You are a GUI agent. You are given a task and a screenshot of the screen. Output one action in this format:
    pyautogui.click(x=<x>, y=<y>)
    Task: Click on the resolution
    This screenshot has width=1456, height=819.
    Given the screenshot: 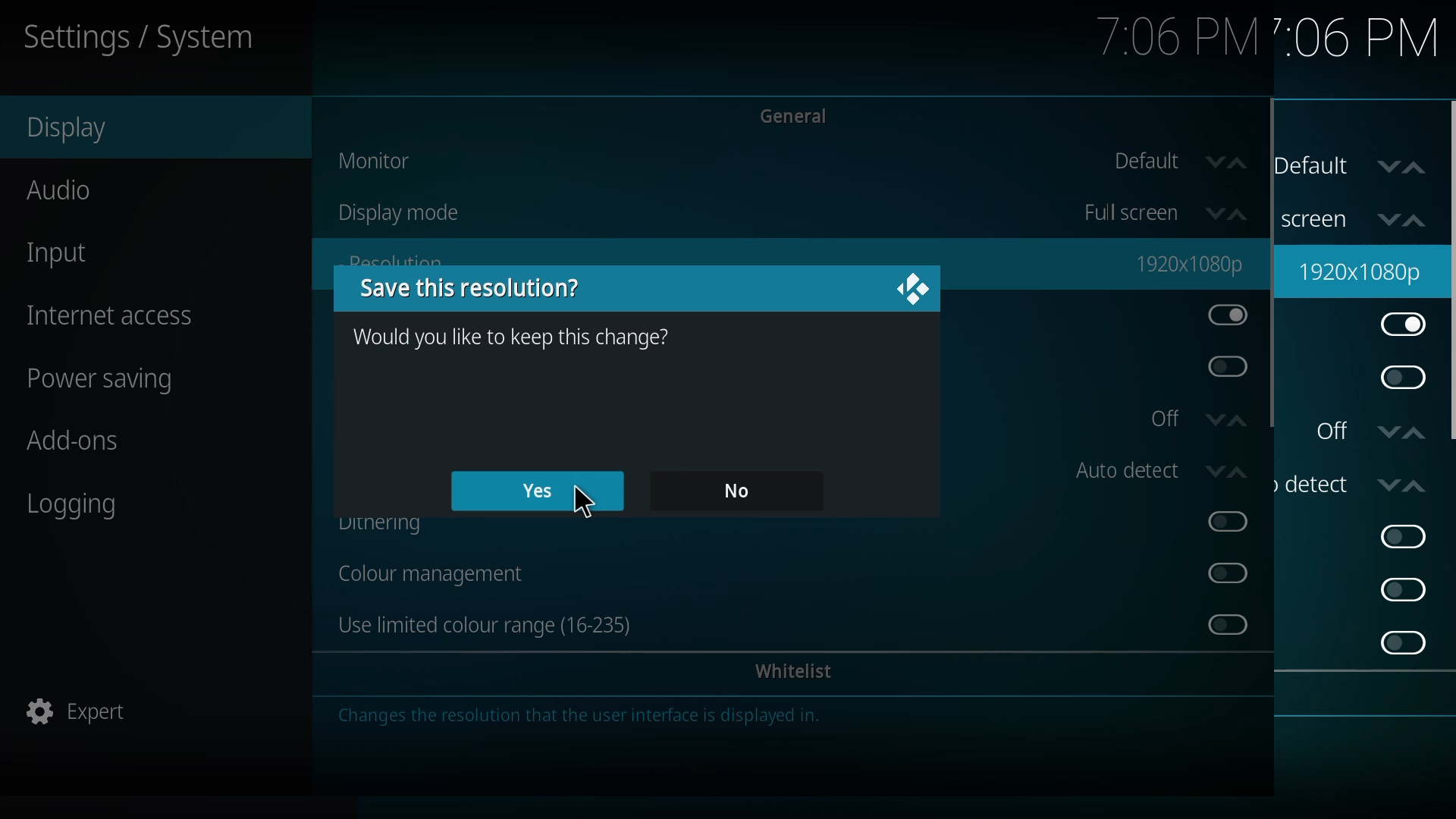 What is the action you would take?
    pyautogui.click(x=1188, y=264)
    